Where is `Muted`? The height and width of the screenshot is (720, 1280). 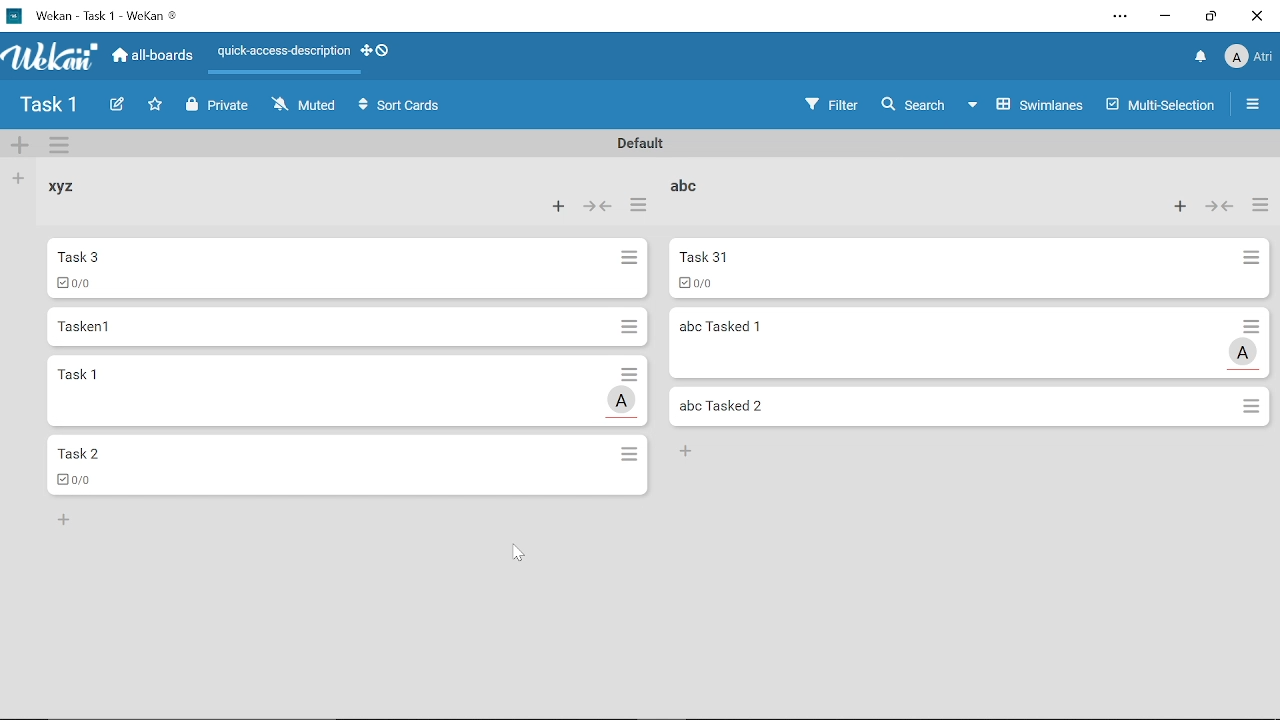 Muted is located at coordinates (305, 104).